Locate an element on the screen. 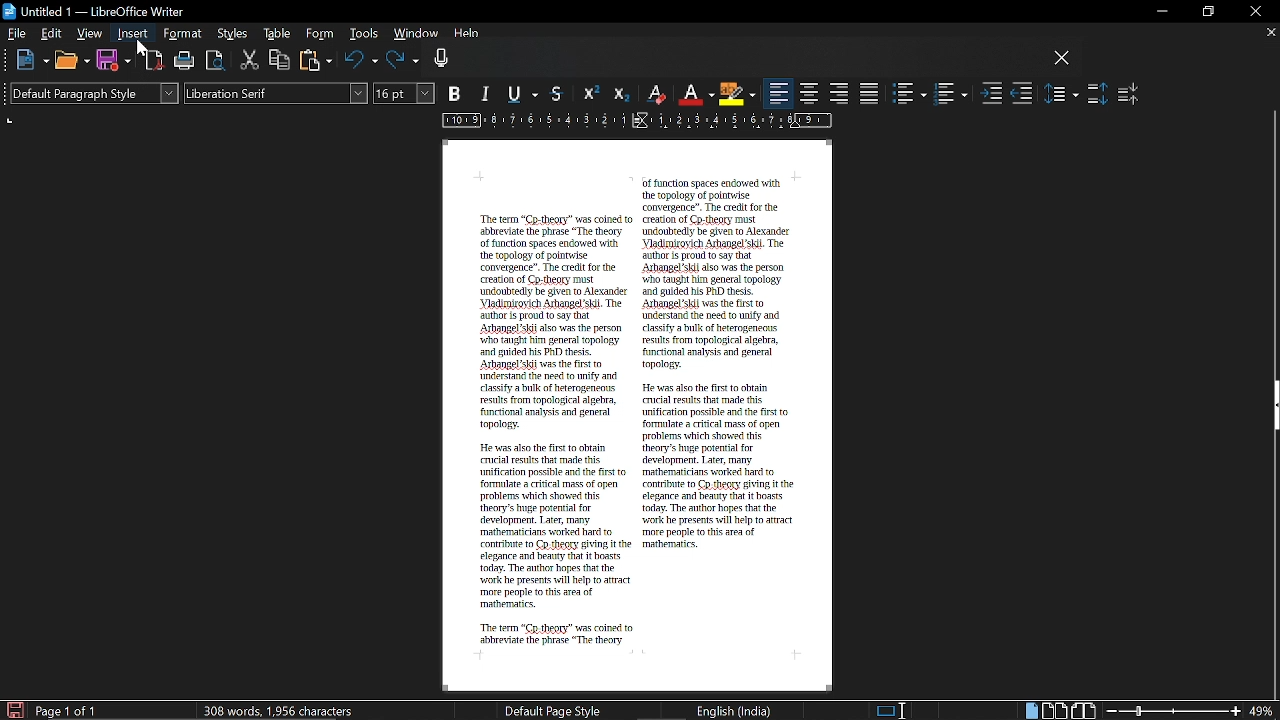 The height and width of the screenshot is (720, 1280). Save is located at coordinates (13, 709).